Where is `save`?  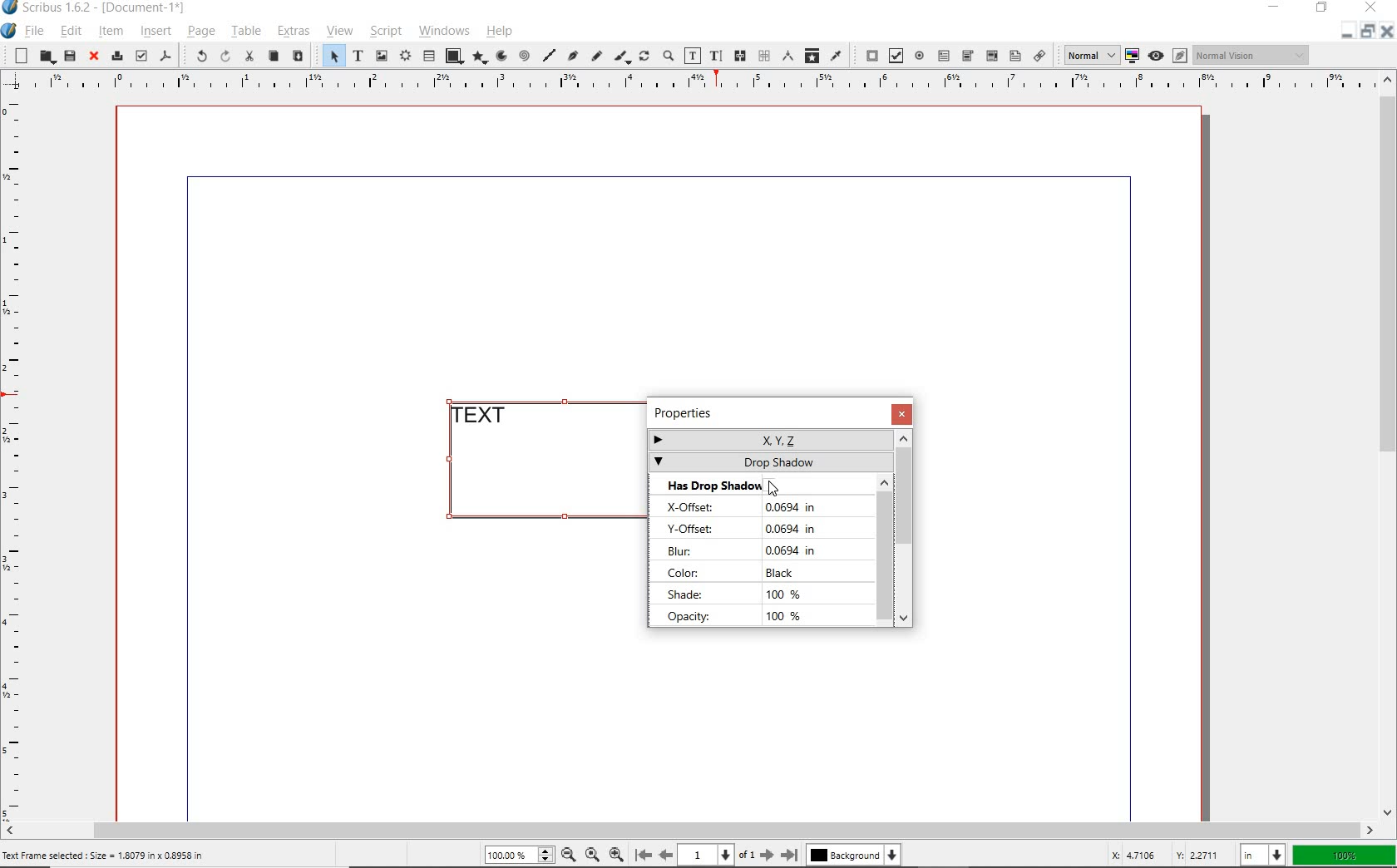 save is located at coordinates (68, 56).